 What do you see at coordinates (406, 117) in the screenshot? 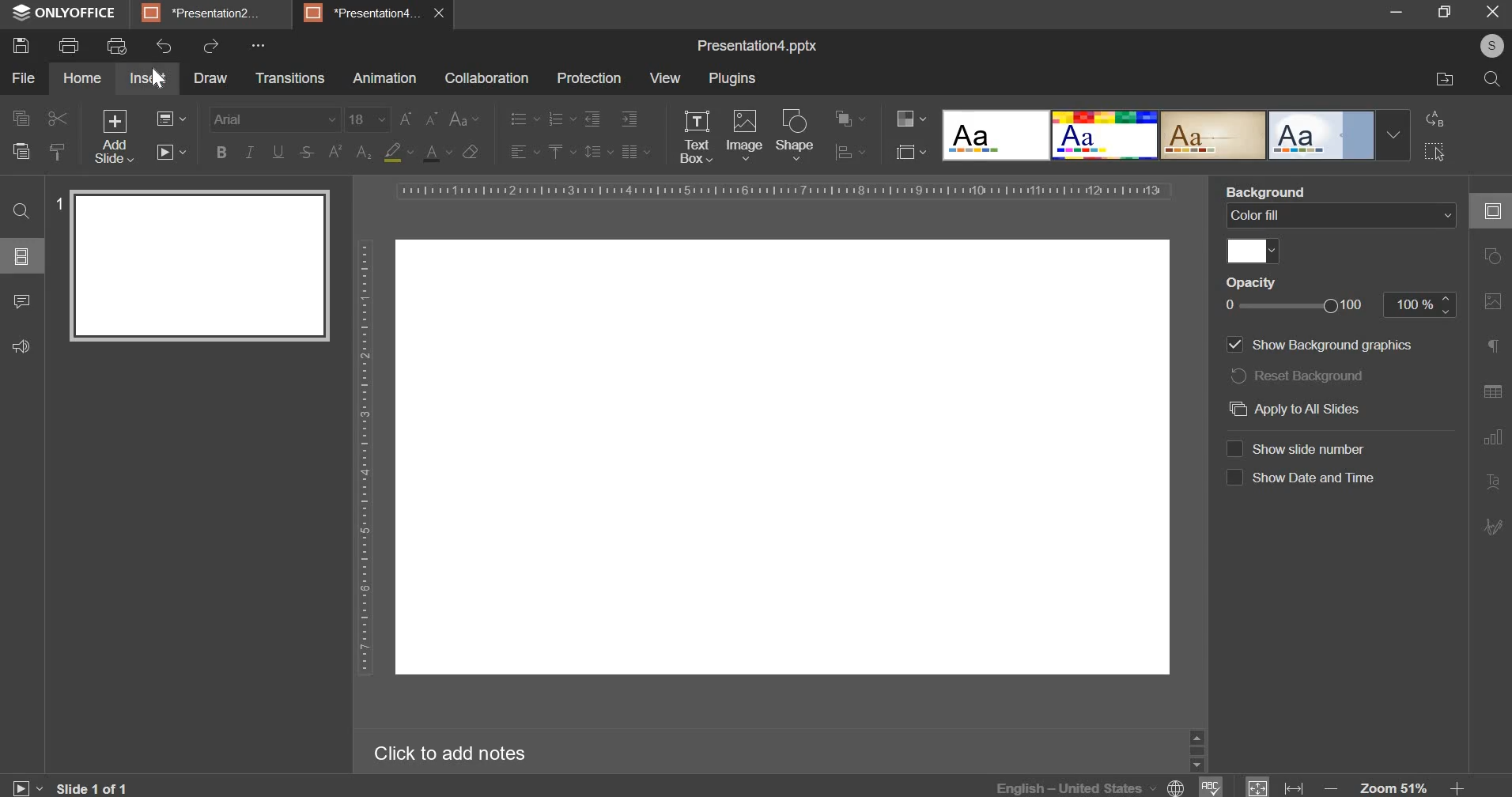
I see `increment font size` at bounding box center [406, 117].